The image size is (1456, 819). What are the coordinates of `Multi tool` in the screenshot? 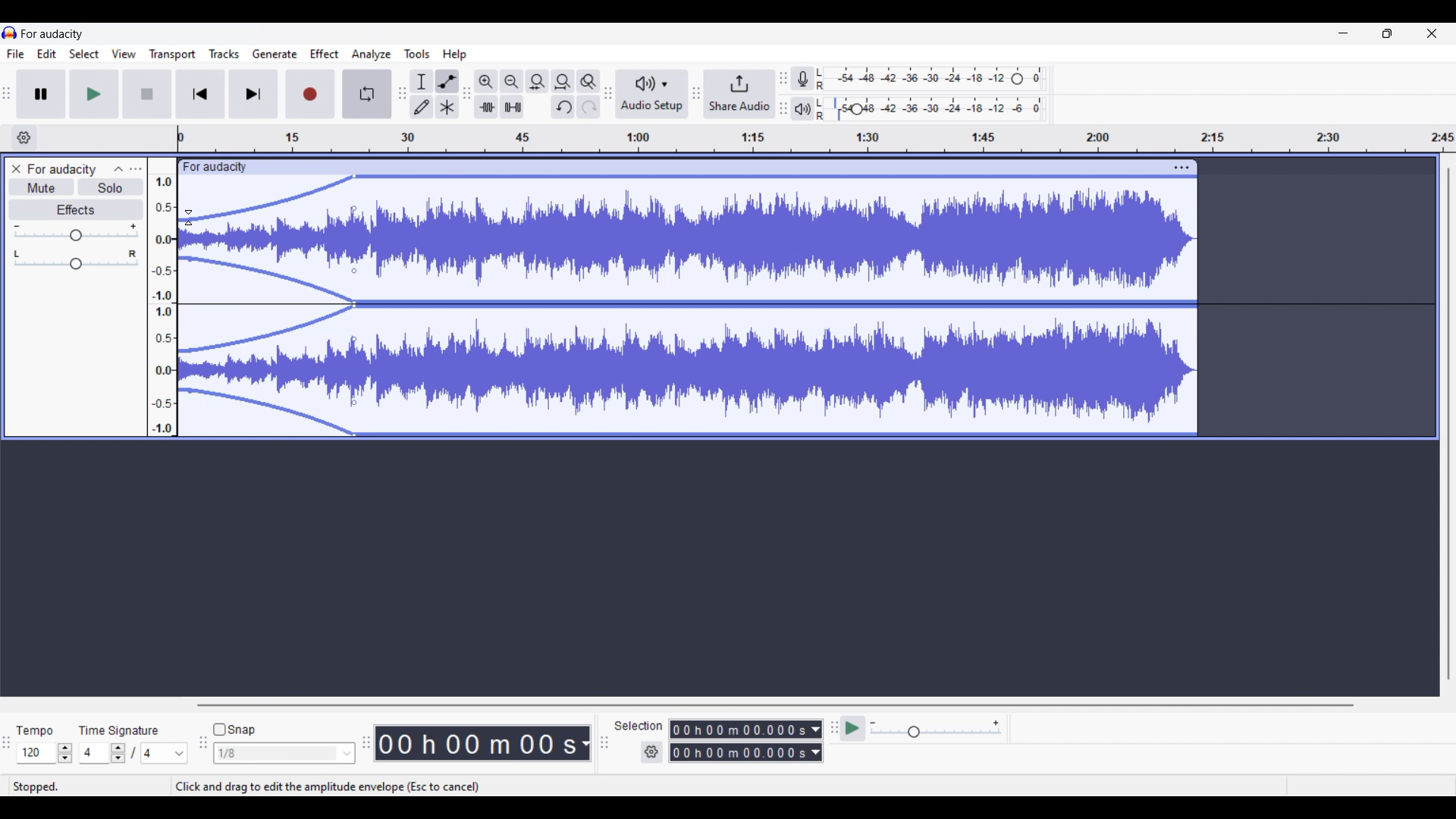 It's located at (447, 107).